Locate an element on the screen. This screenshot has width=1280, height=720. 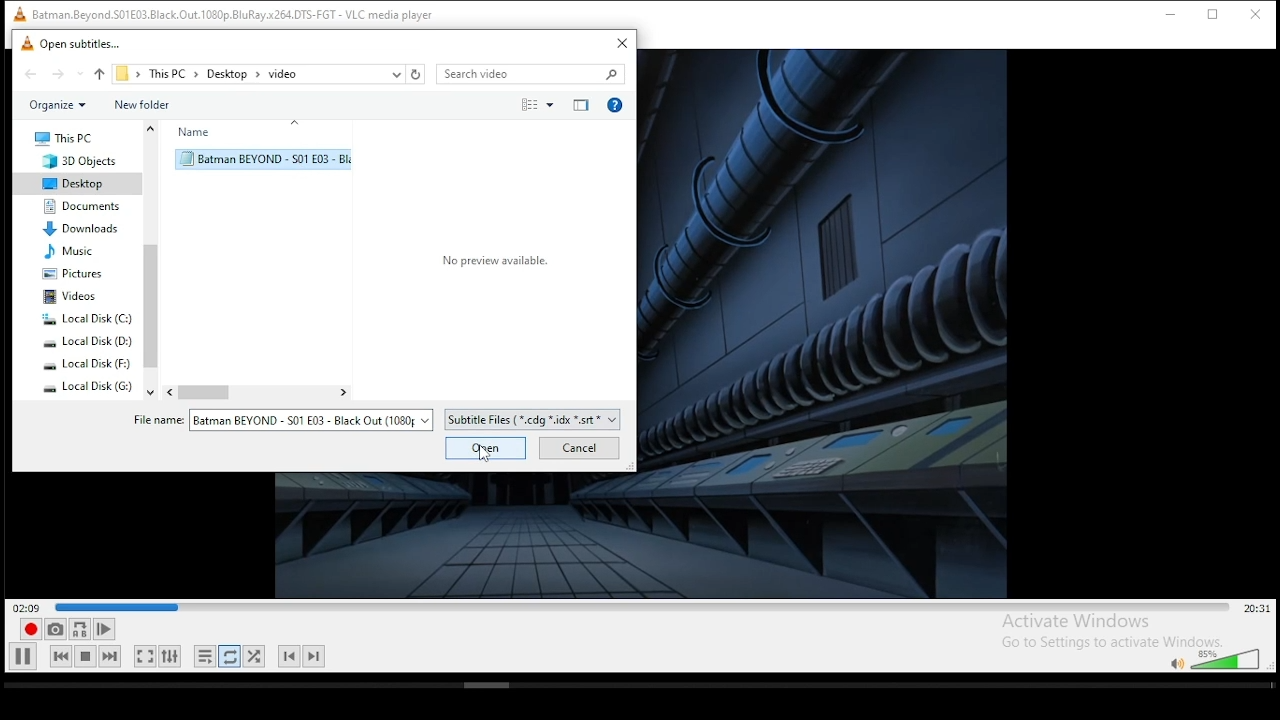
loop between point A to point B continuously. click ad point A is located at coordinates (80, 629).